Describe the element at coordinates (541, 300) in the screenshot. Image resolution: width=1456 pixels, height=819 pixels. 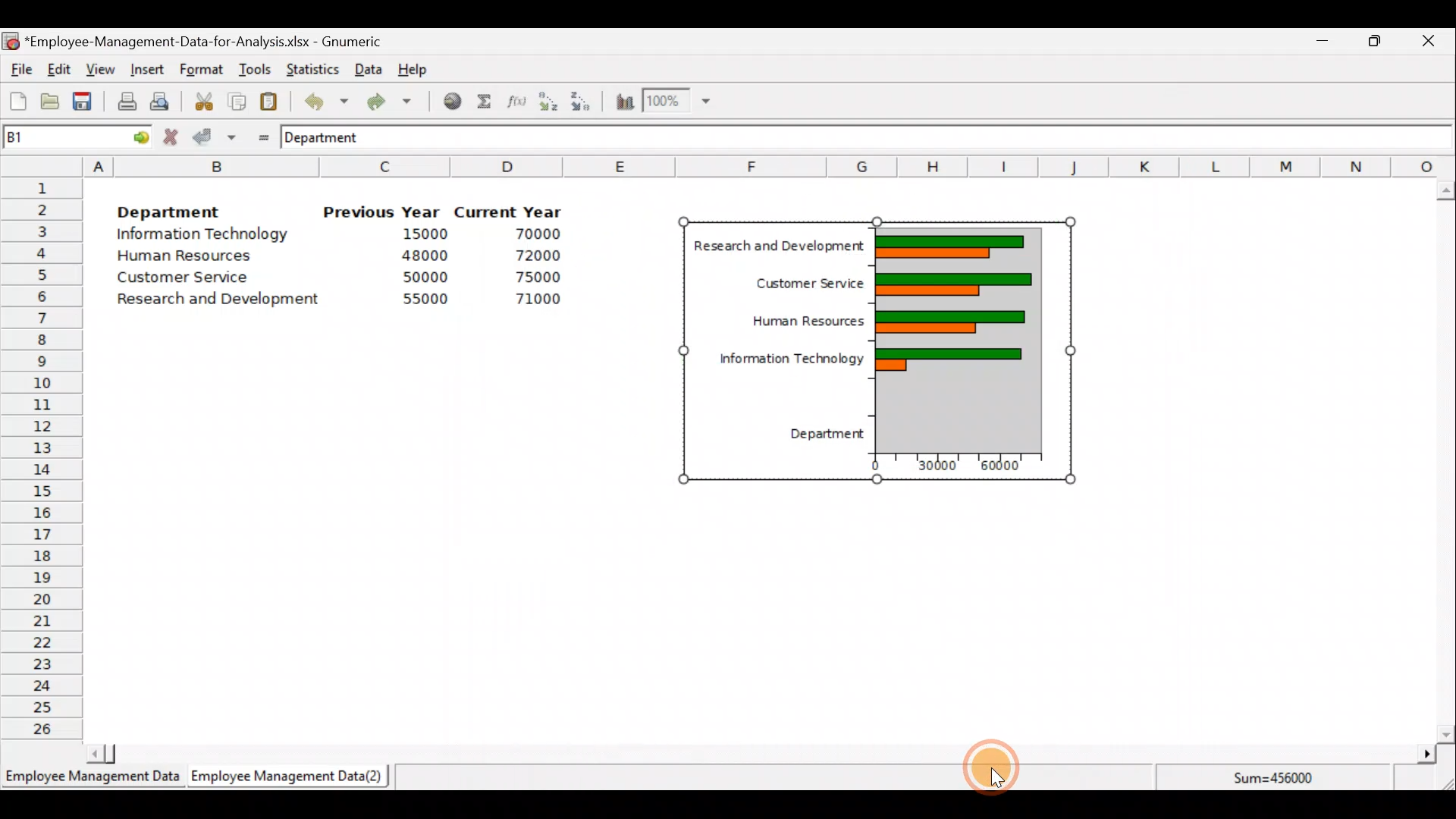
I see `71000` at that location.